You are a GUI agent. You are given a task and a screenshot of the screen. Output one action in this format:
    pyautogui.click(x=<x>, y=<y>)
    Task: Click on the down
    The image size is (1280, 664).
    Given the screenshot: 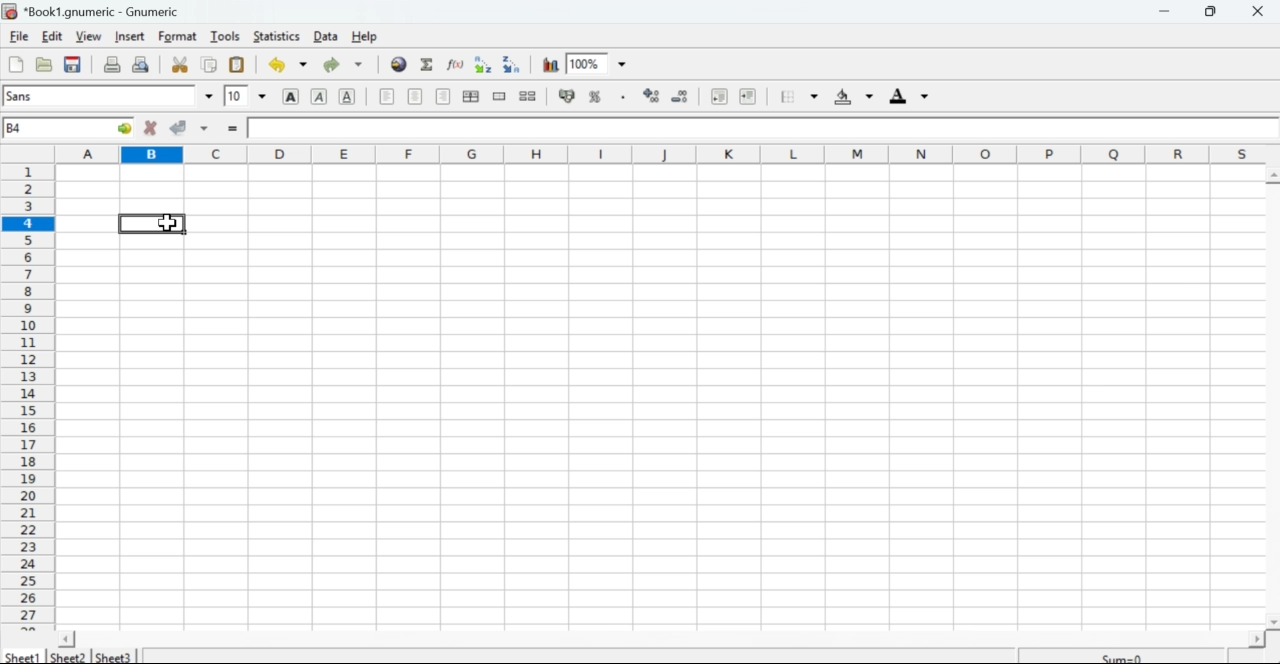 What is the action you would take?
    pyautogui.click(x=359, y=65)
    